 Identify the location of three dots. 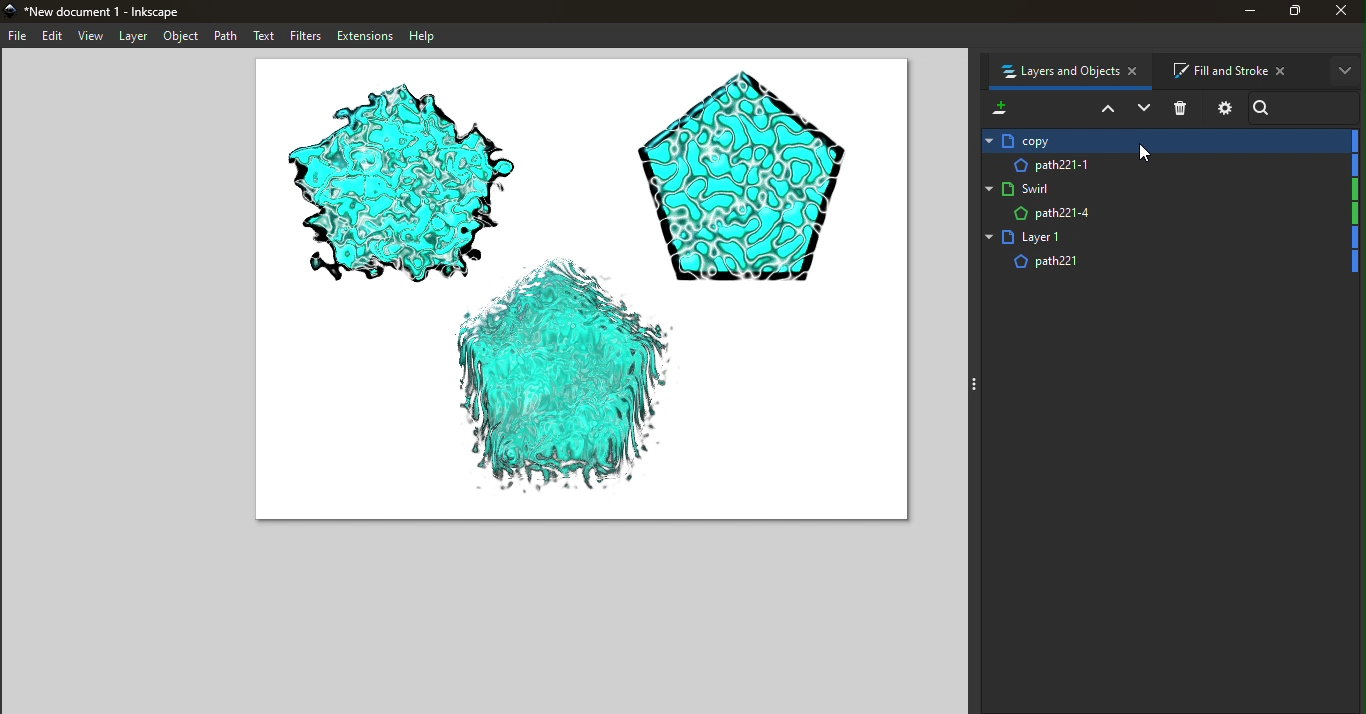
(977, 388).